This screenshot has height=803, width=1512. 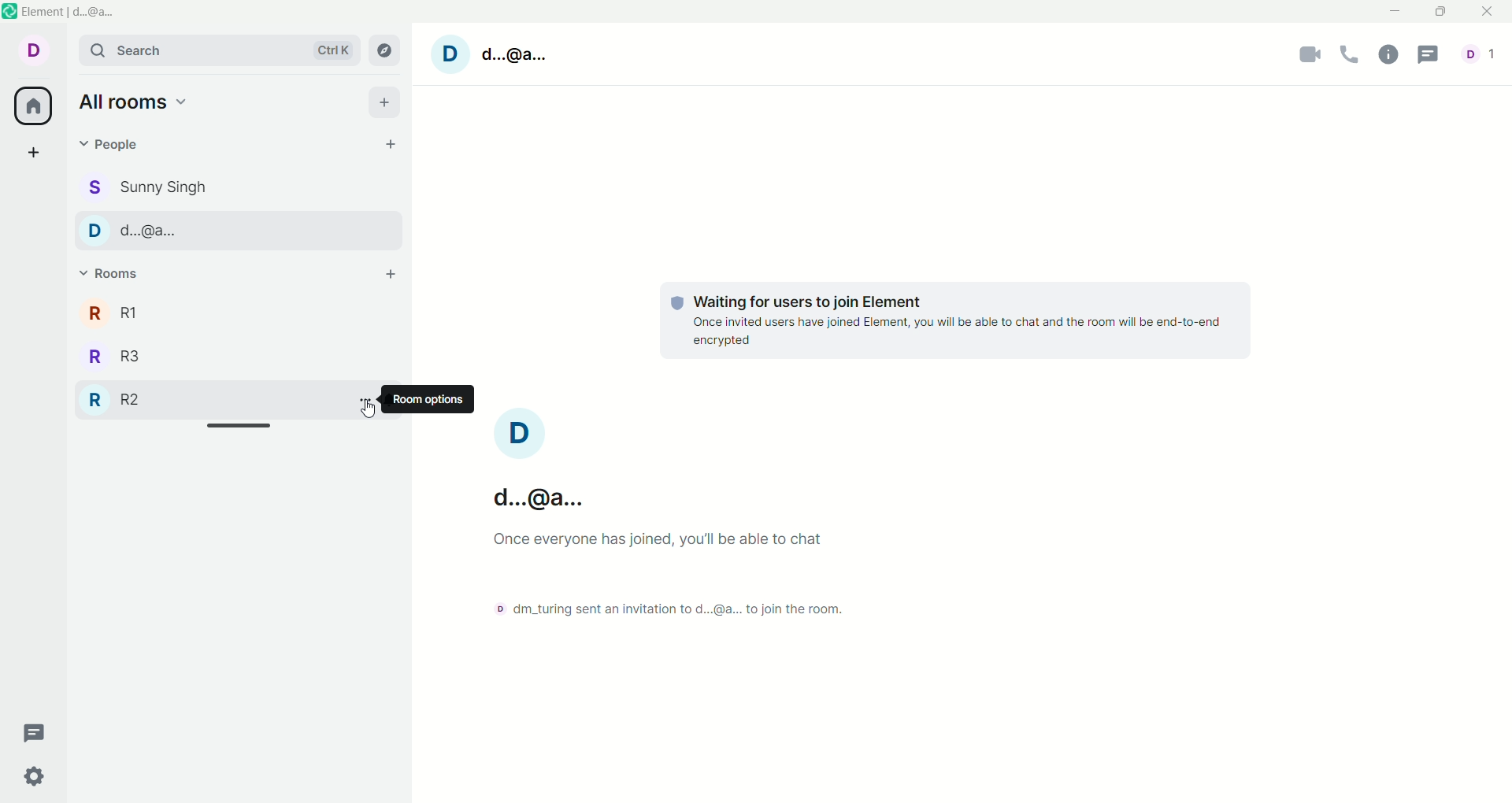 What do you see at coordinates (116, 145) in the screenshot?
I see `people` at bounding box center [116, 145].